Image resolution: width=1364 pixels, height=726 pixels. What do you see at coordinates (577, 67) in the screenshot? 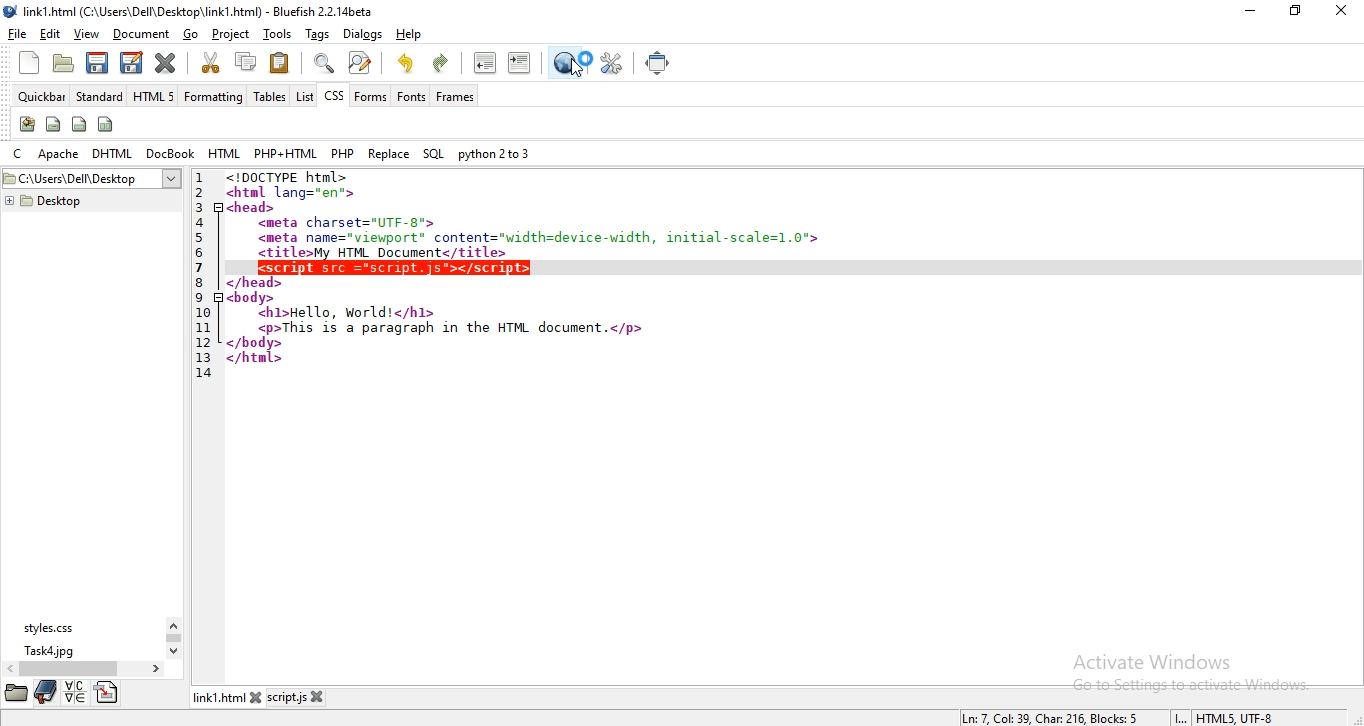
I see `cursor` at bounding box center [577, 67].